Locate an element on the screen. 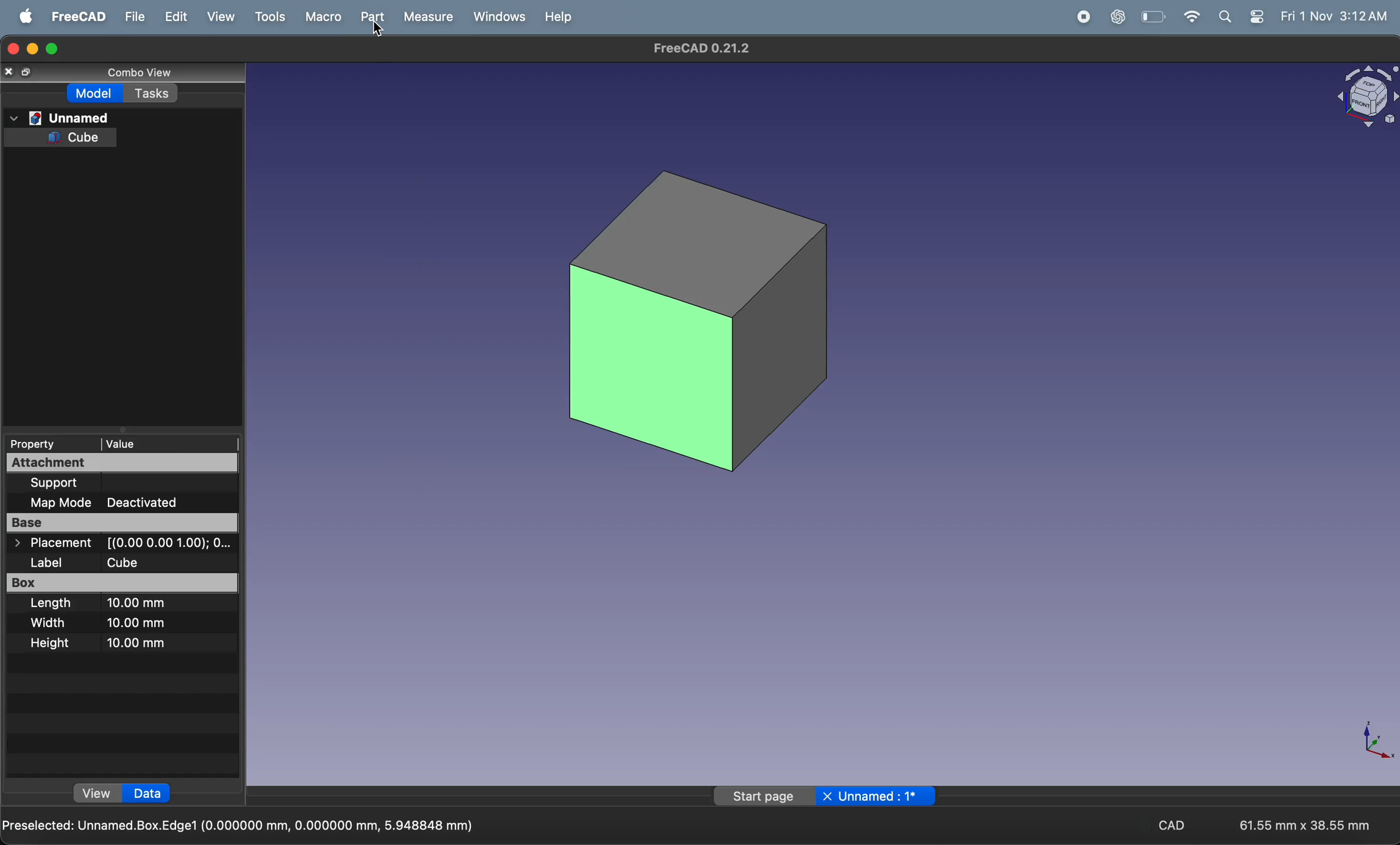 The height and width of the screenshot is (845, 1400). close is located at coordinates (12, 70).